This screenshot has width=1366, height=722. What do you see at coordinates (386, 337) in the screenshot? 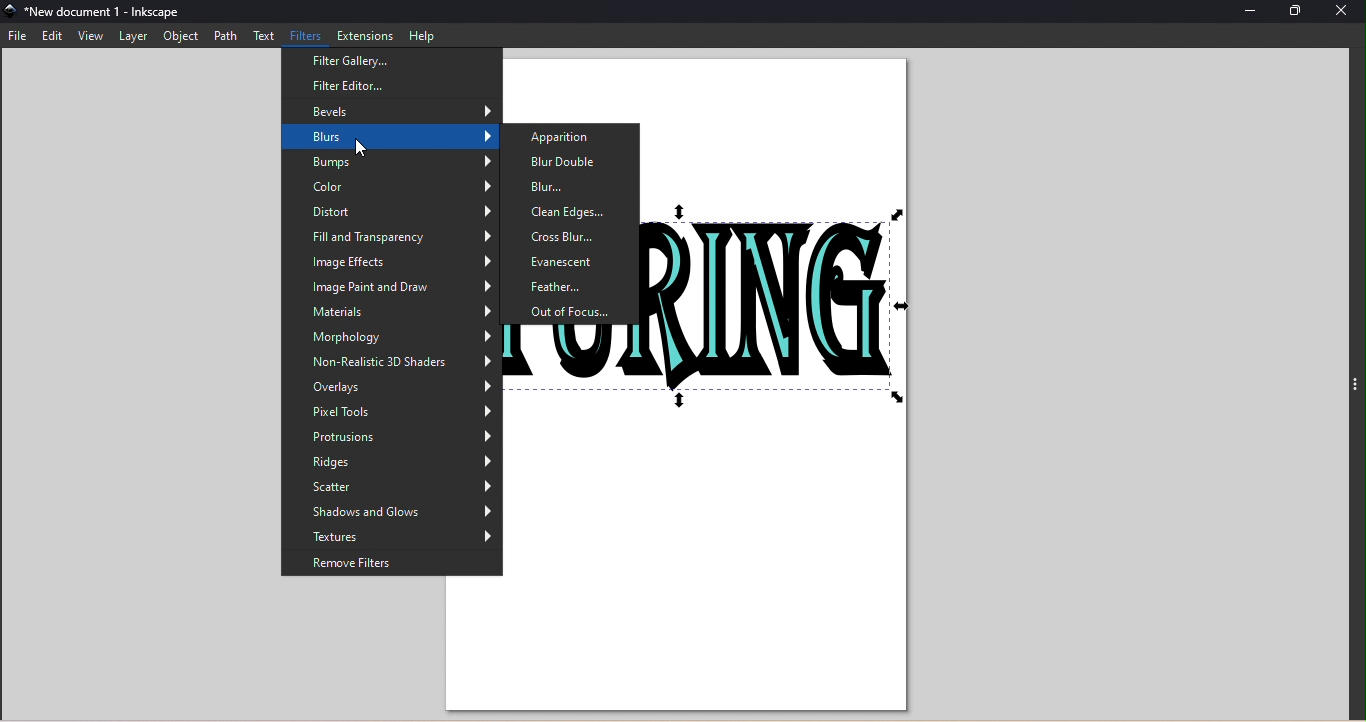
I see `Morphology` at bounding box center [386, 337].